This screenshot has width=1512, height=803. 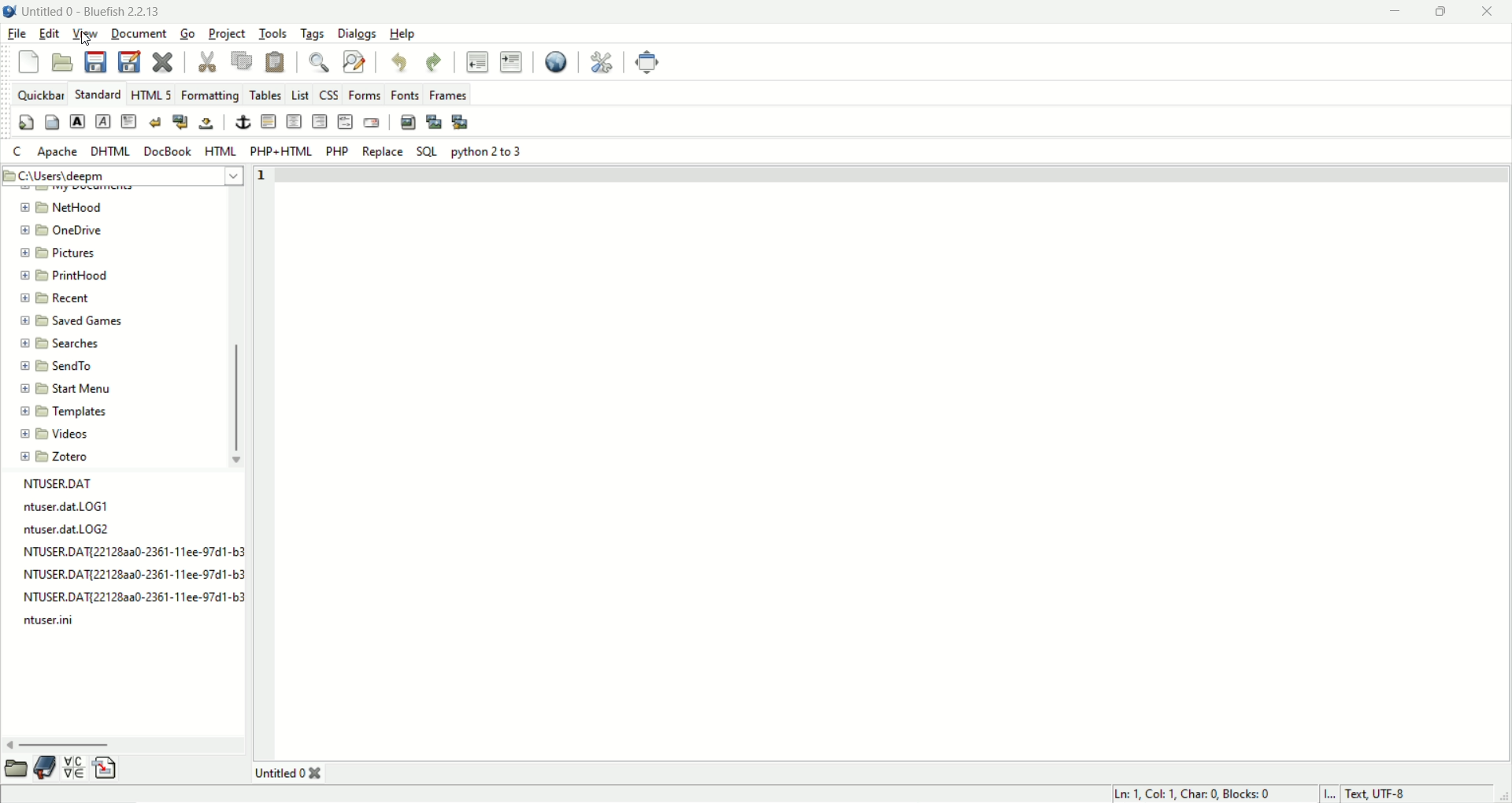 What do you see at coordinates (20, 152) in the screenshot?
I see `C` at bounding box center [20, 152].